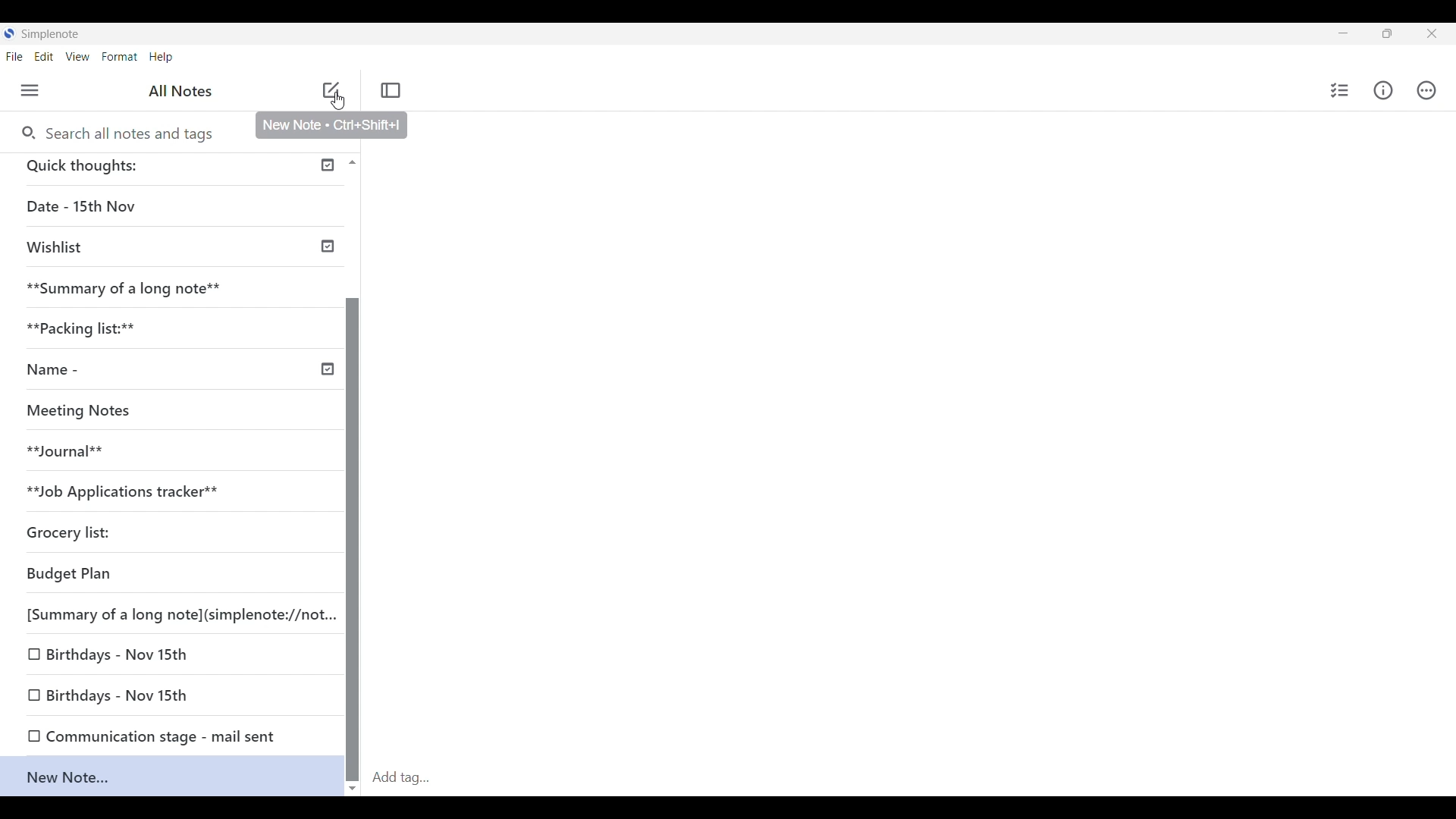 The height and width of the screenshot is (819, 1456). Describe the element at coordinates (173, 203) in the screenshot. I see `Date - 15th Nov` at that location.